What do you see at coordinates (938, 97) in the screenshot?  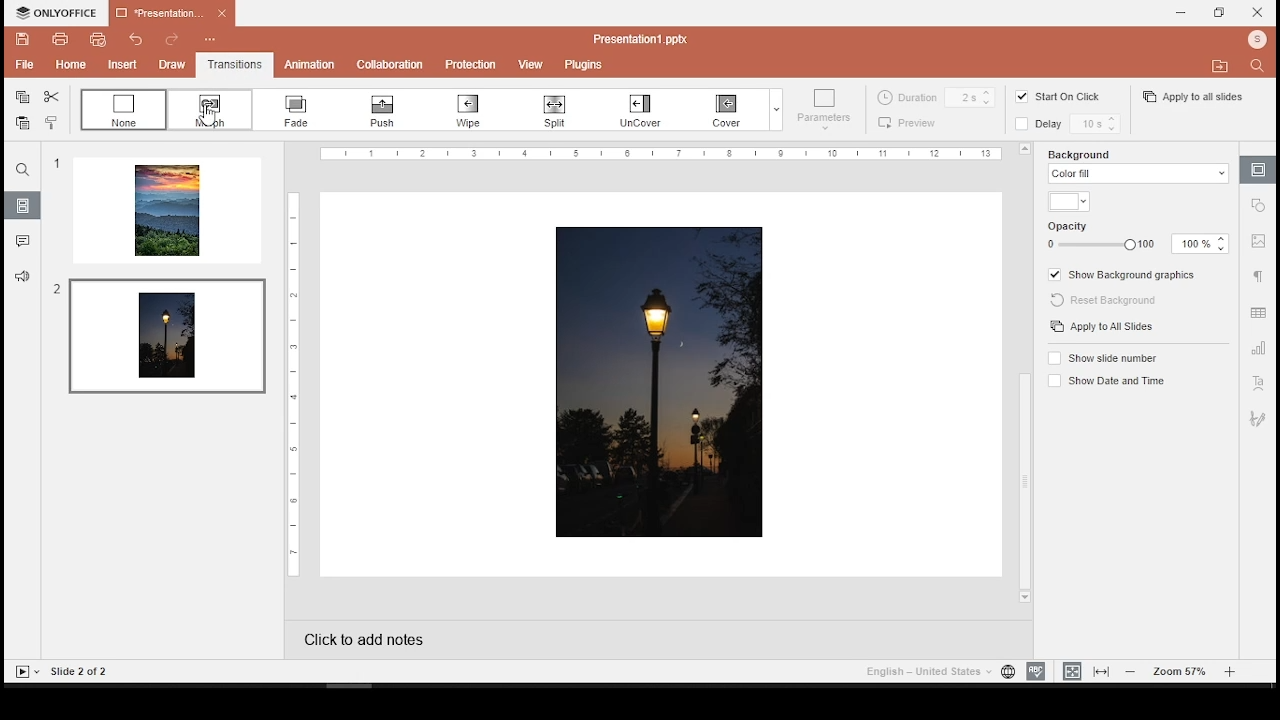 I see `slide style` at bounding box center [938, 97].